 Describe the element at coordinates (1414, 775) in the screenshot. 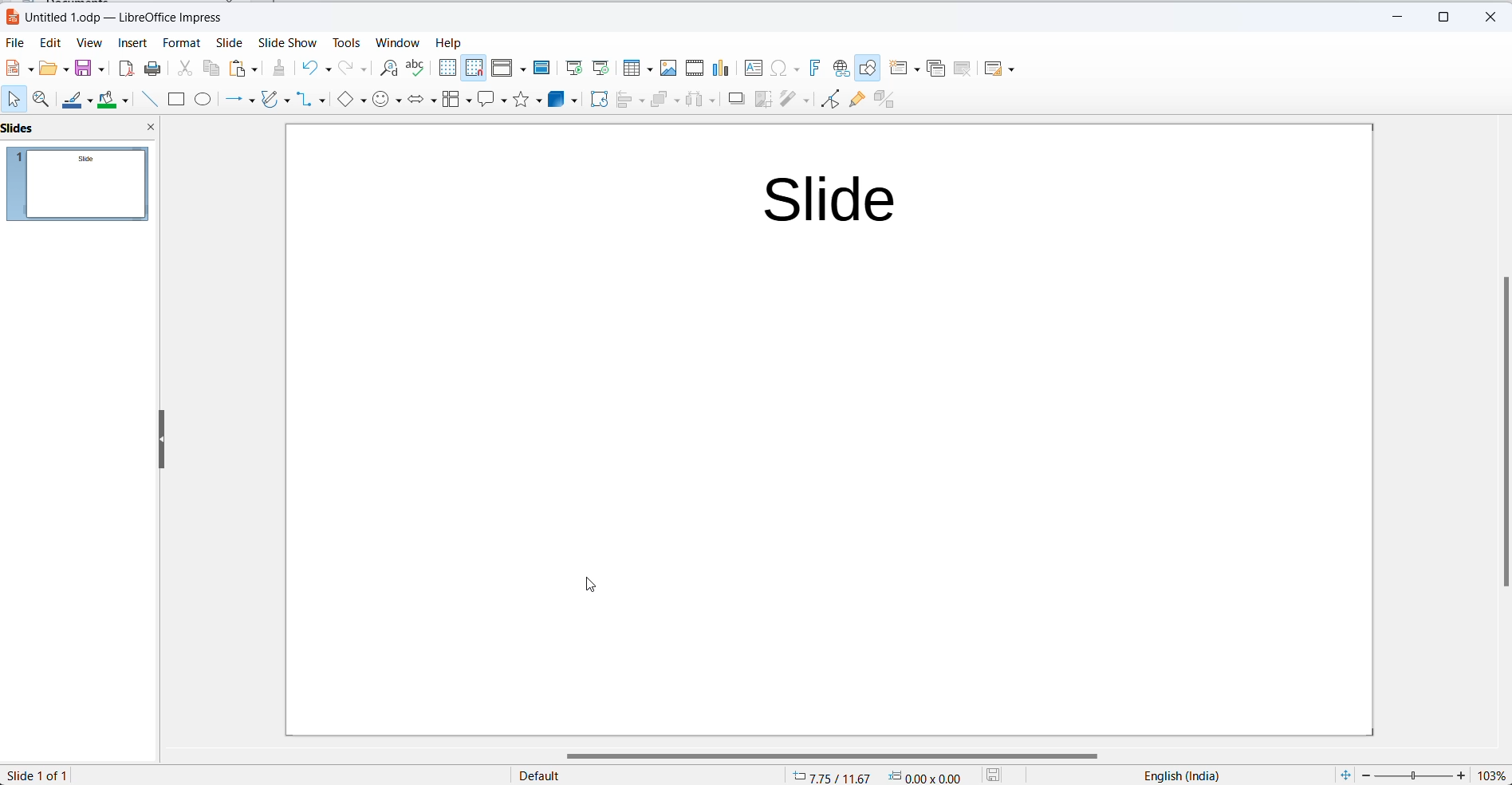

I see `zoom slider` at that location.